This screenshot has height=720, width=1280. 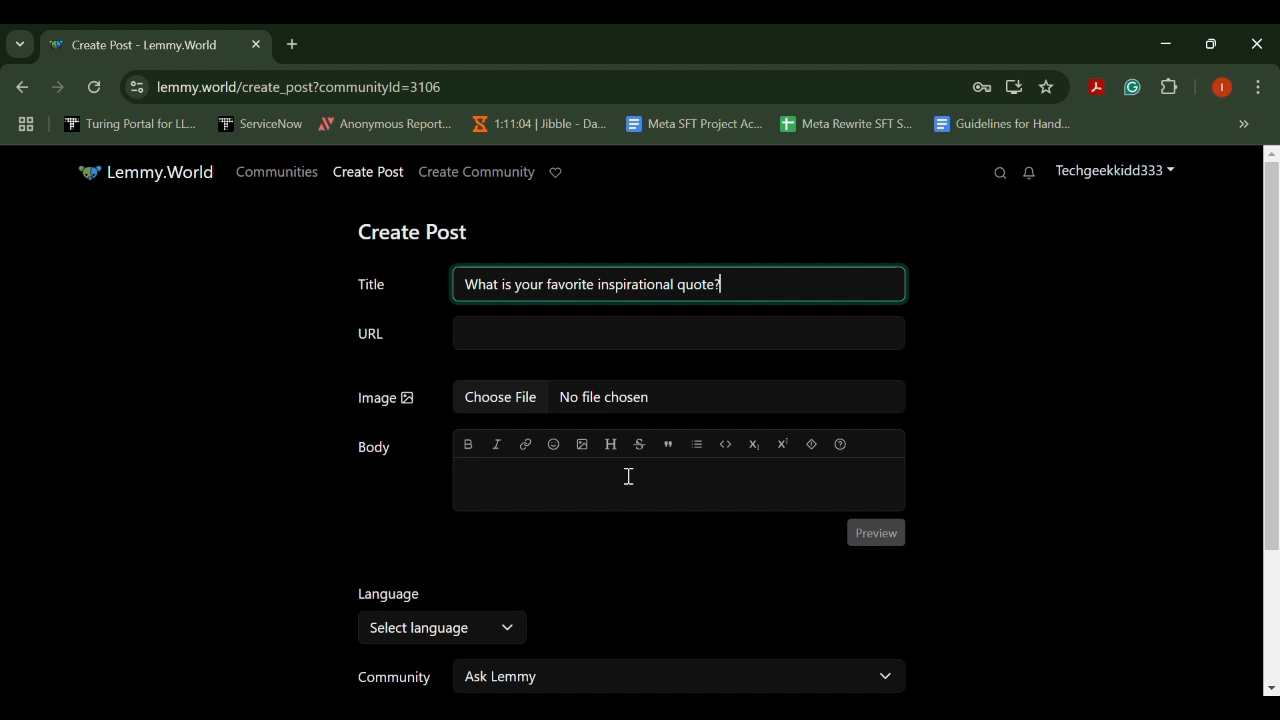 I want to click on Hidden bookmarks, so click(x=1246, y=125).